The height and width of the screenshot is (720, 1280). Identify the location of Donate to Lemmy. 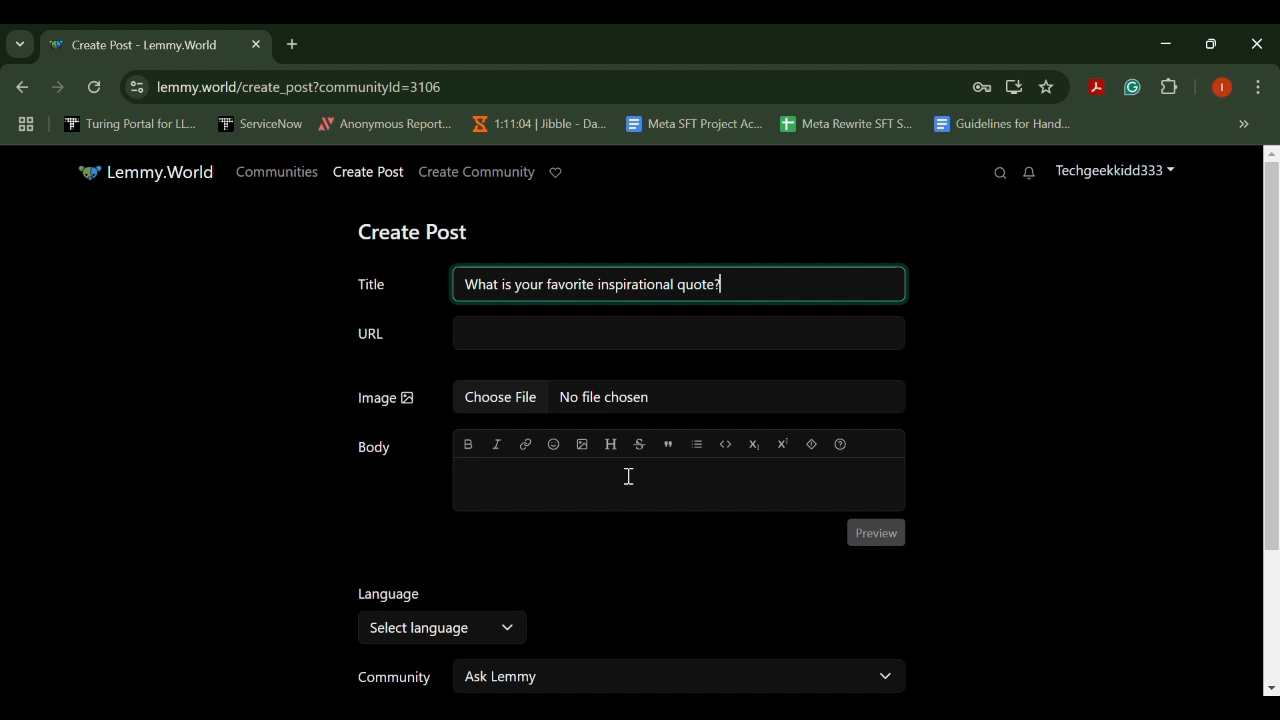
(556, 173).